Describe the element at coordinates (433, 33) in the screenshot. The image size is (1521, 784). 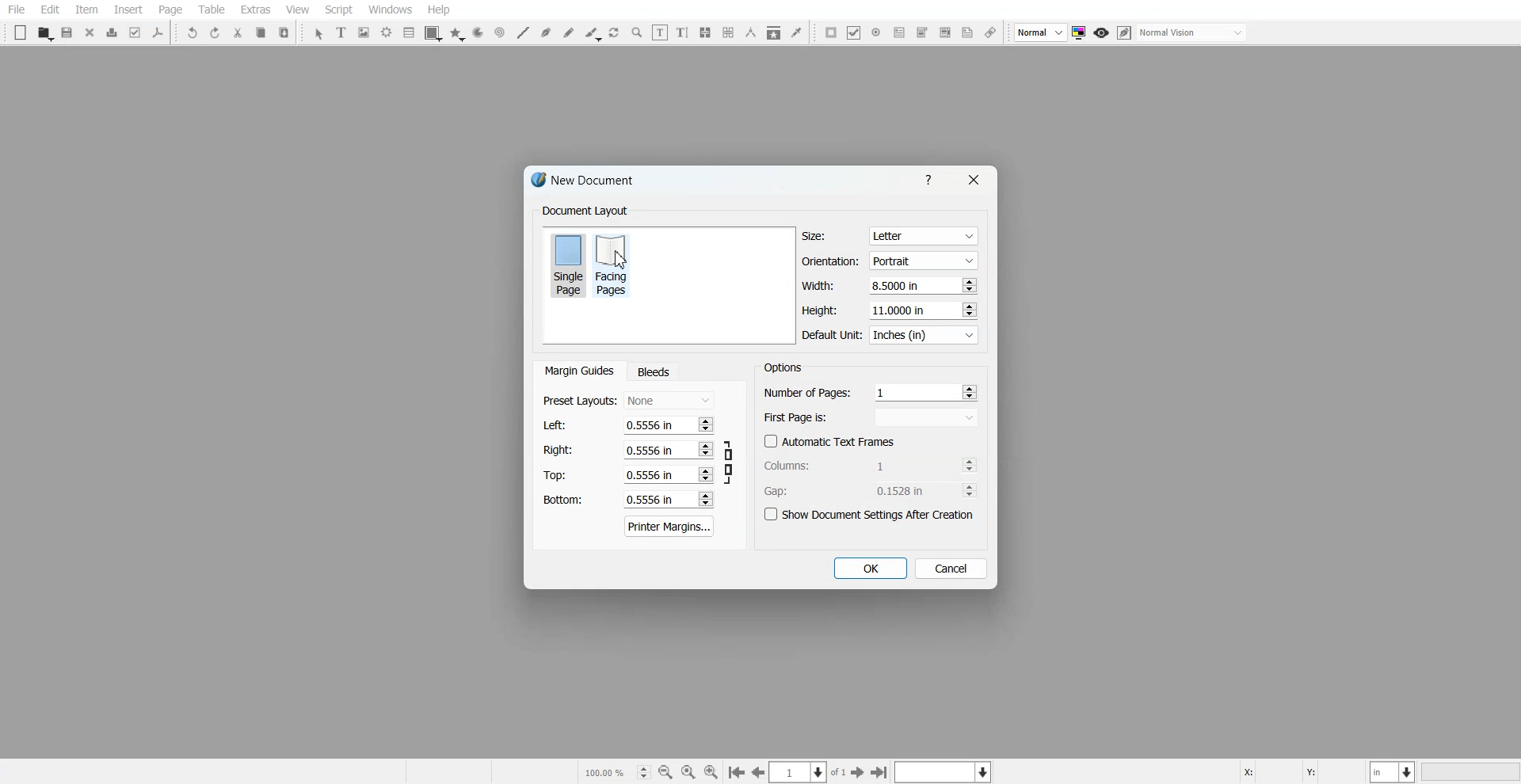
I see `Shape` at that location.